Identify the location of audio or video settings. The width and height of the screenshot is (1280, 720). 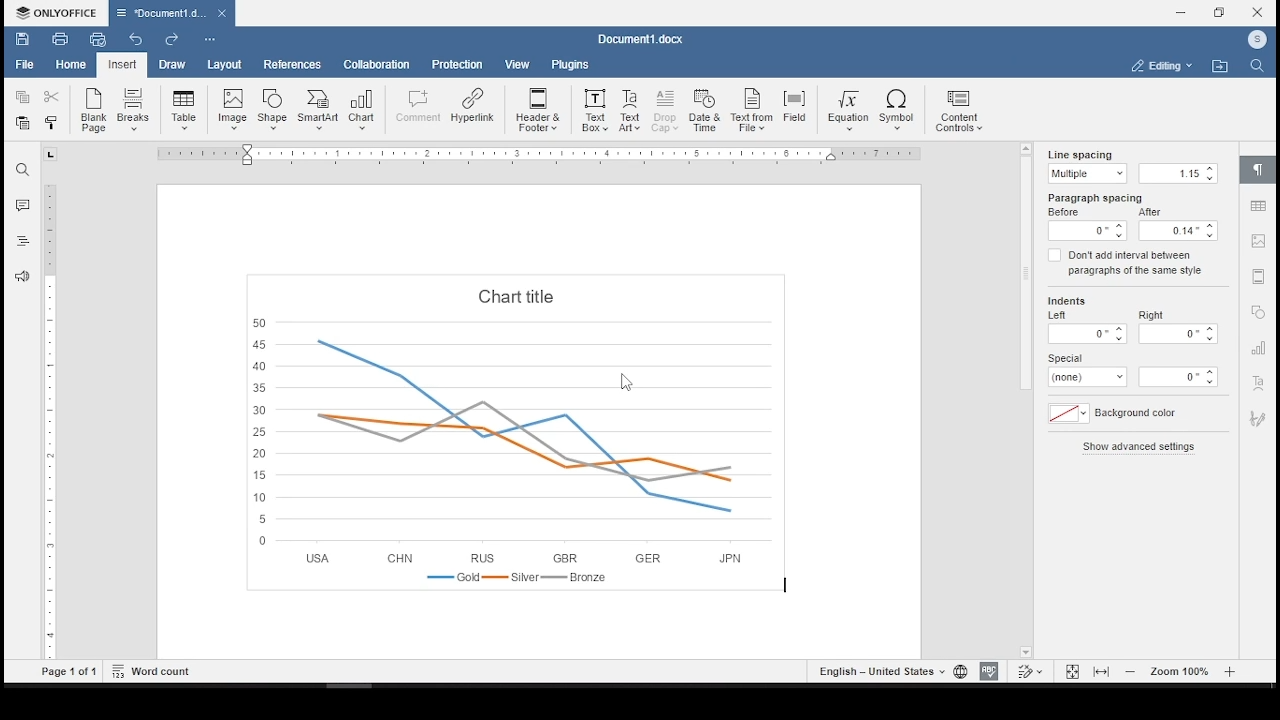
(1258, 276).